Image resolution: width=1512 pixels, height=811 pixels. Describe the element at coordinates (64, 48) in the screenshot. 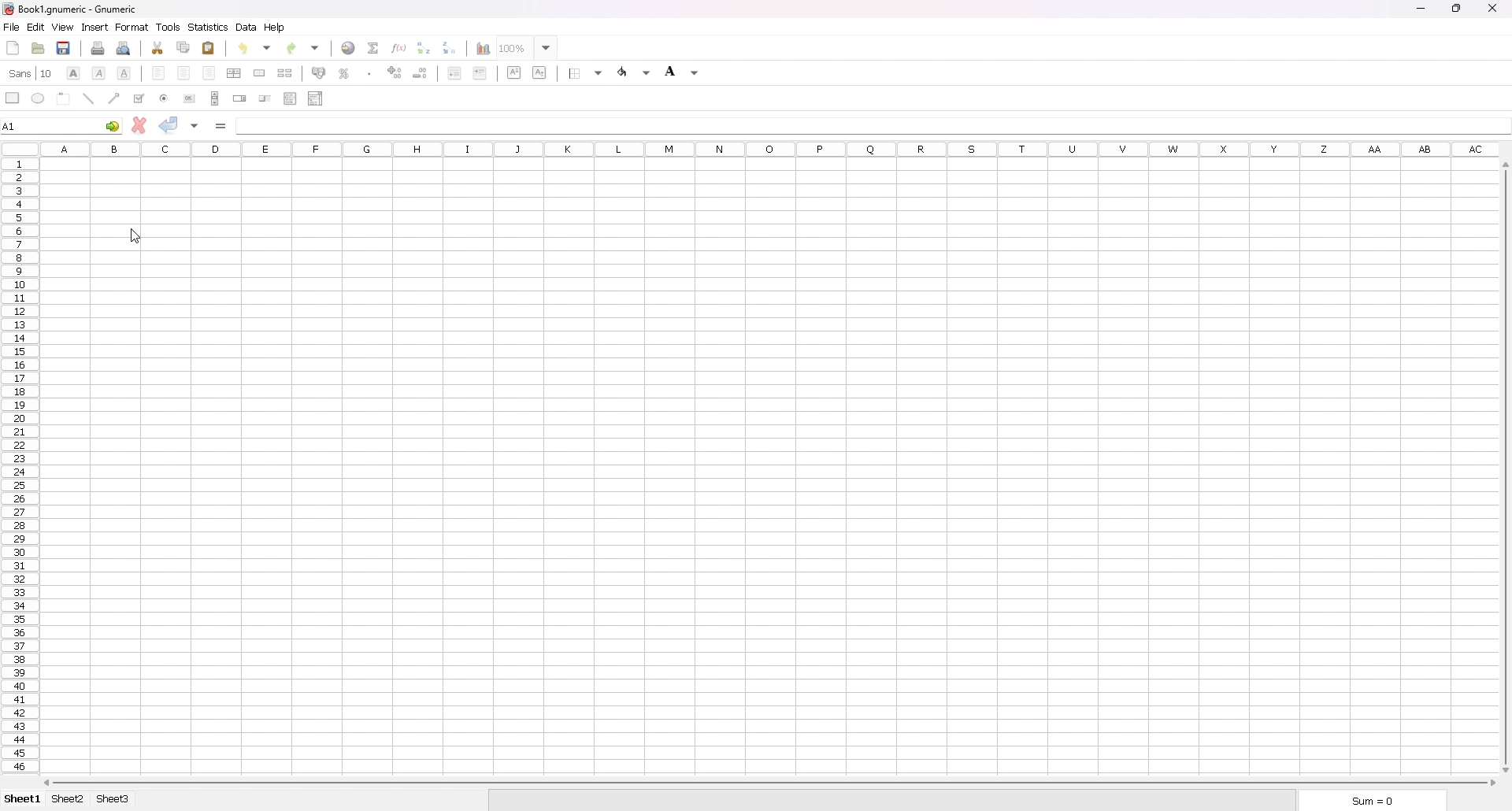

I see `save` at that location.